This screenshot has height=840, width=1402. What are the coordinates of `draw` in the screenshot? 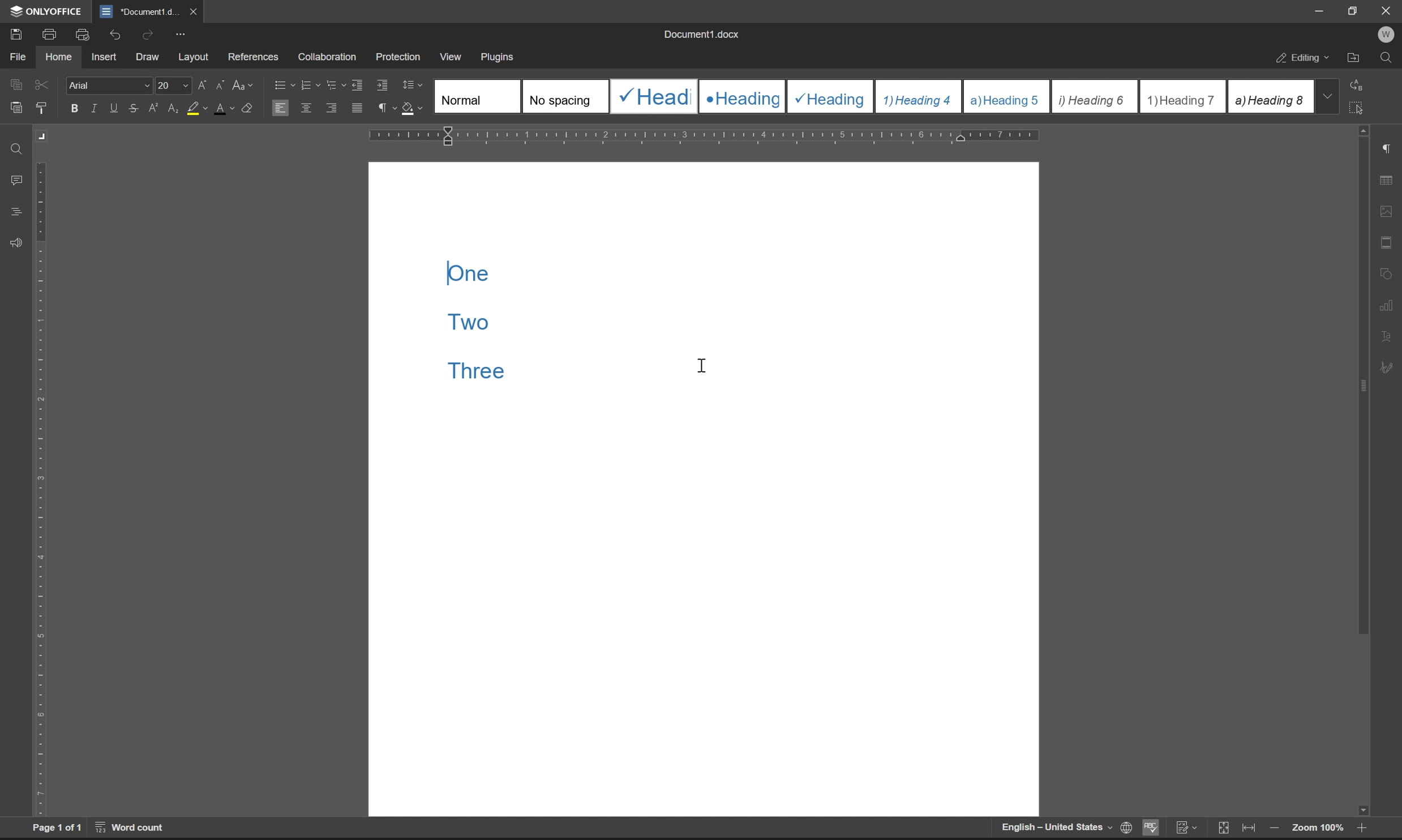 It's located at (151, 58).